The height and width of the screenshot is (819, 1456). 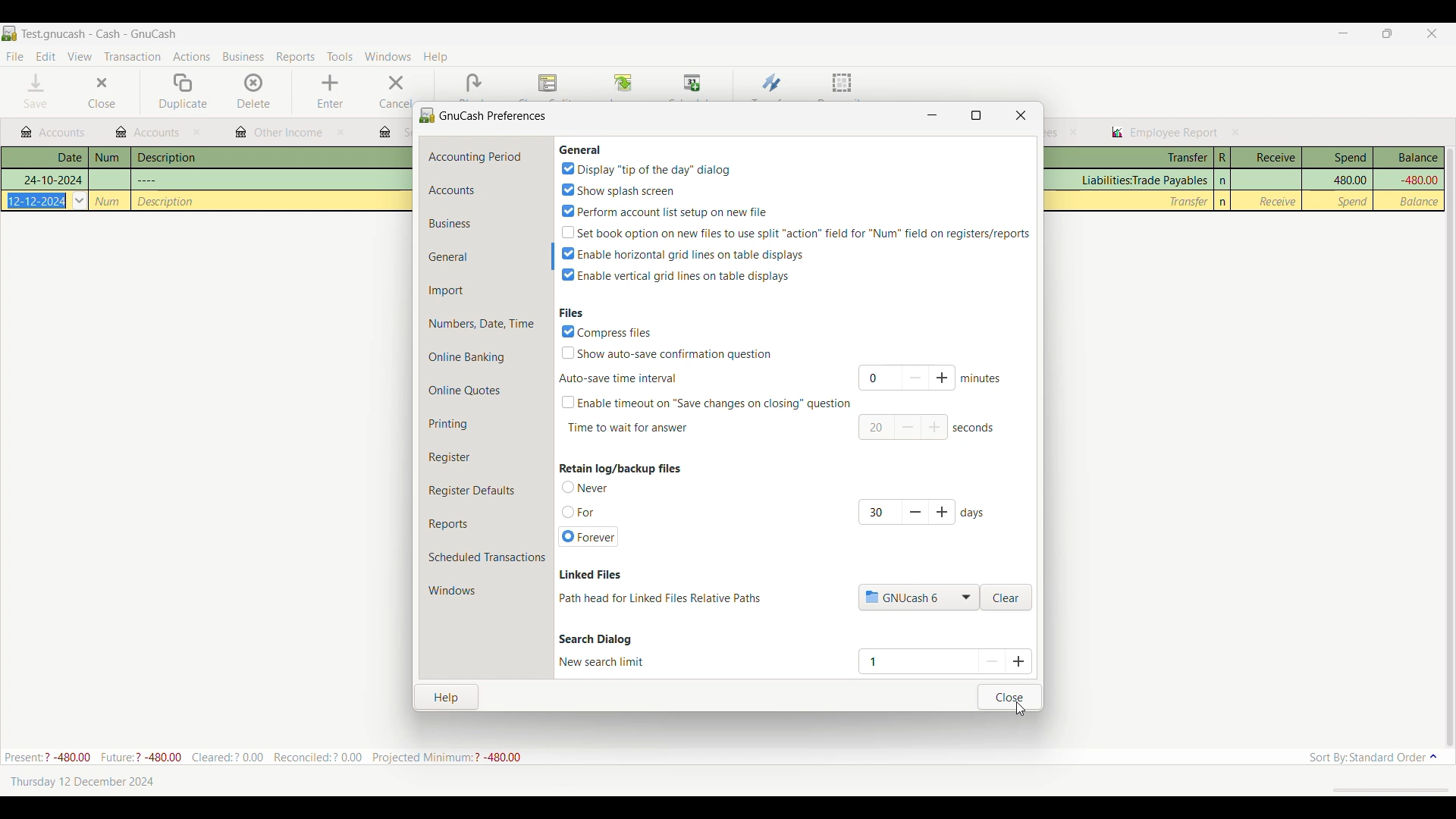 What do you see at coordinates (1189, 201) in the screenshot?
I see `Transfer column` at bounding box center [1189, 201].